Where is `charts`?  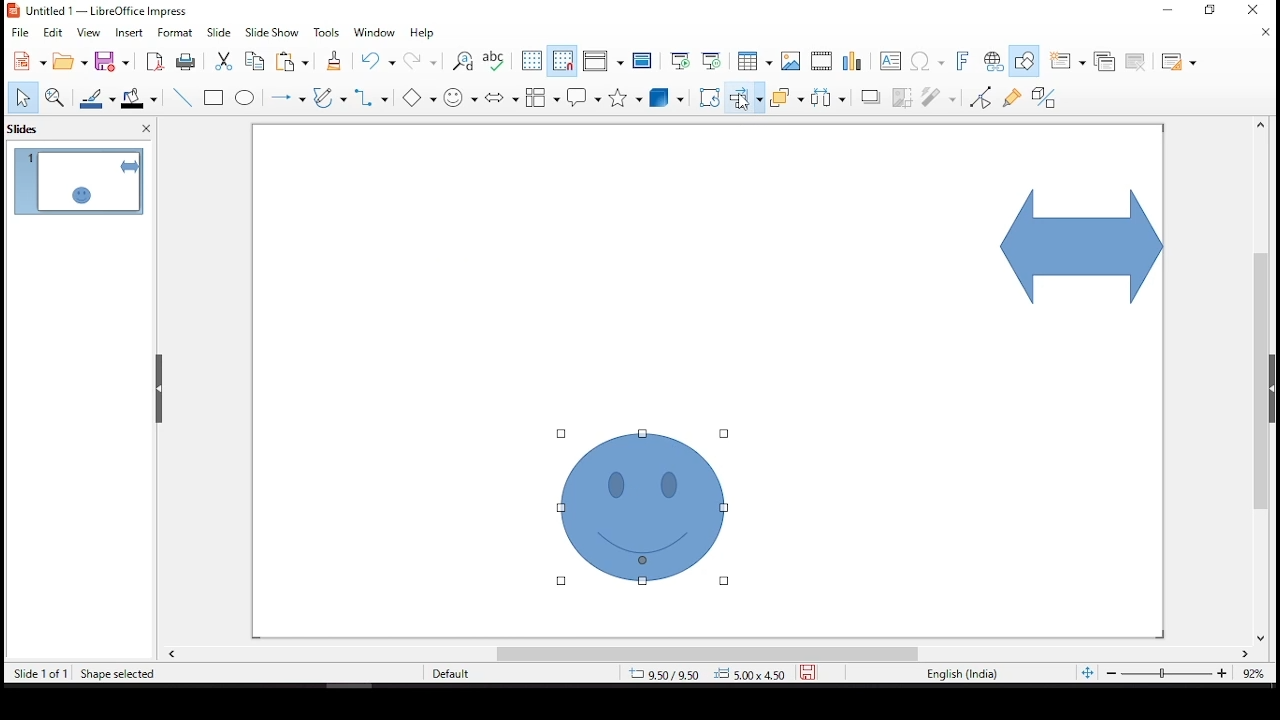 charts is located at coordinates (855, 62).